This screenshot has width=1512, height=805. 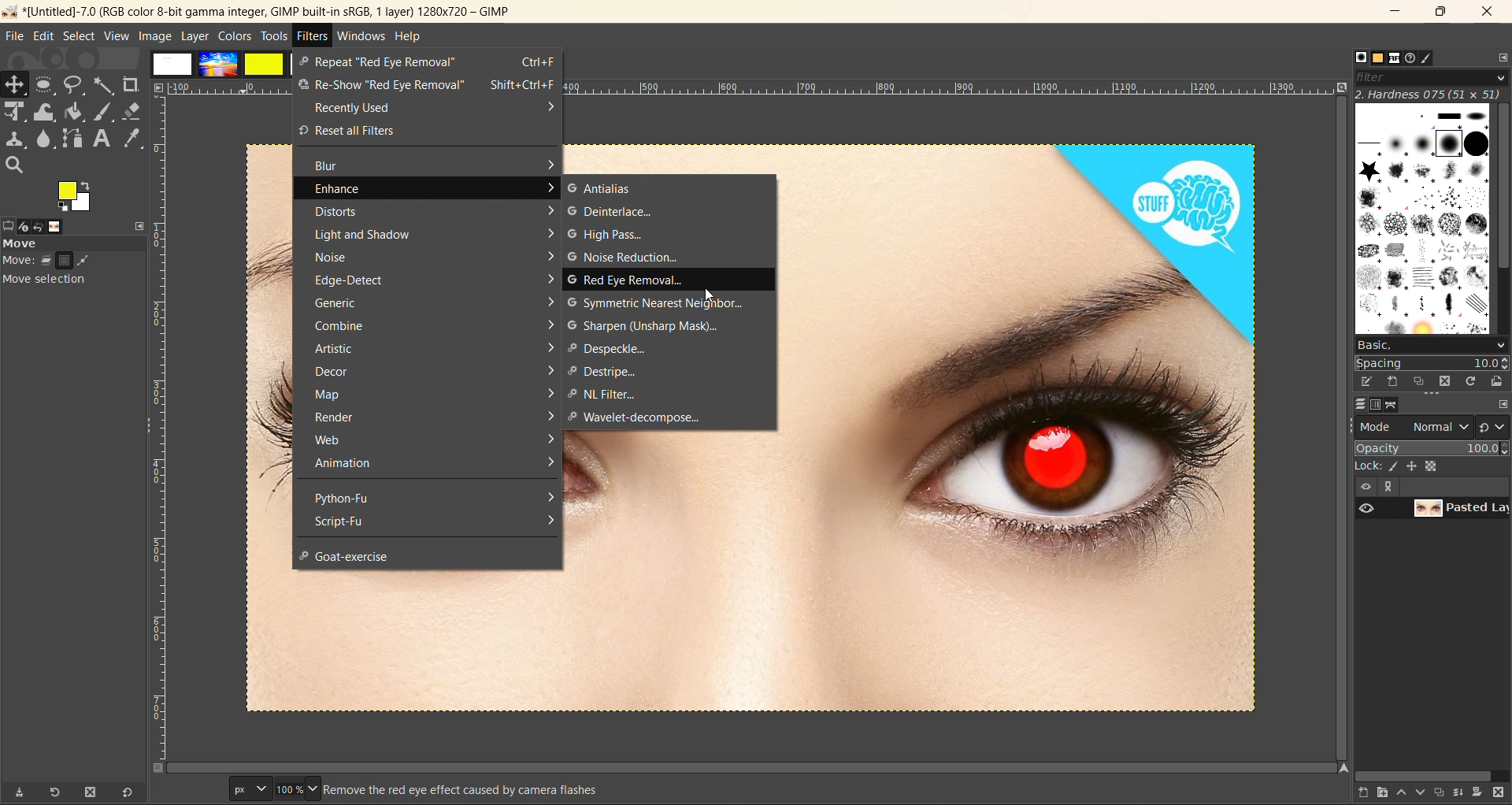 What do you see at coordinates (1502, 404) in the screenshot?
I see `configure` at bounding box center [1502, 404].